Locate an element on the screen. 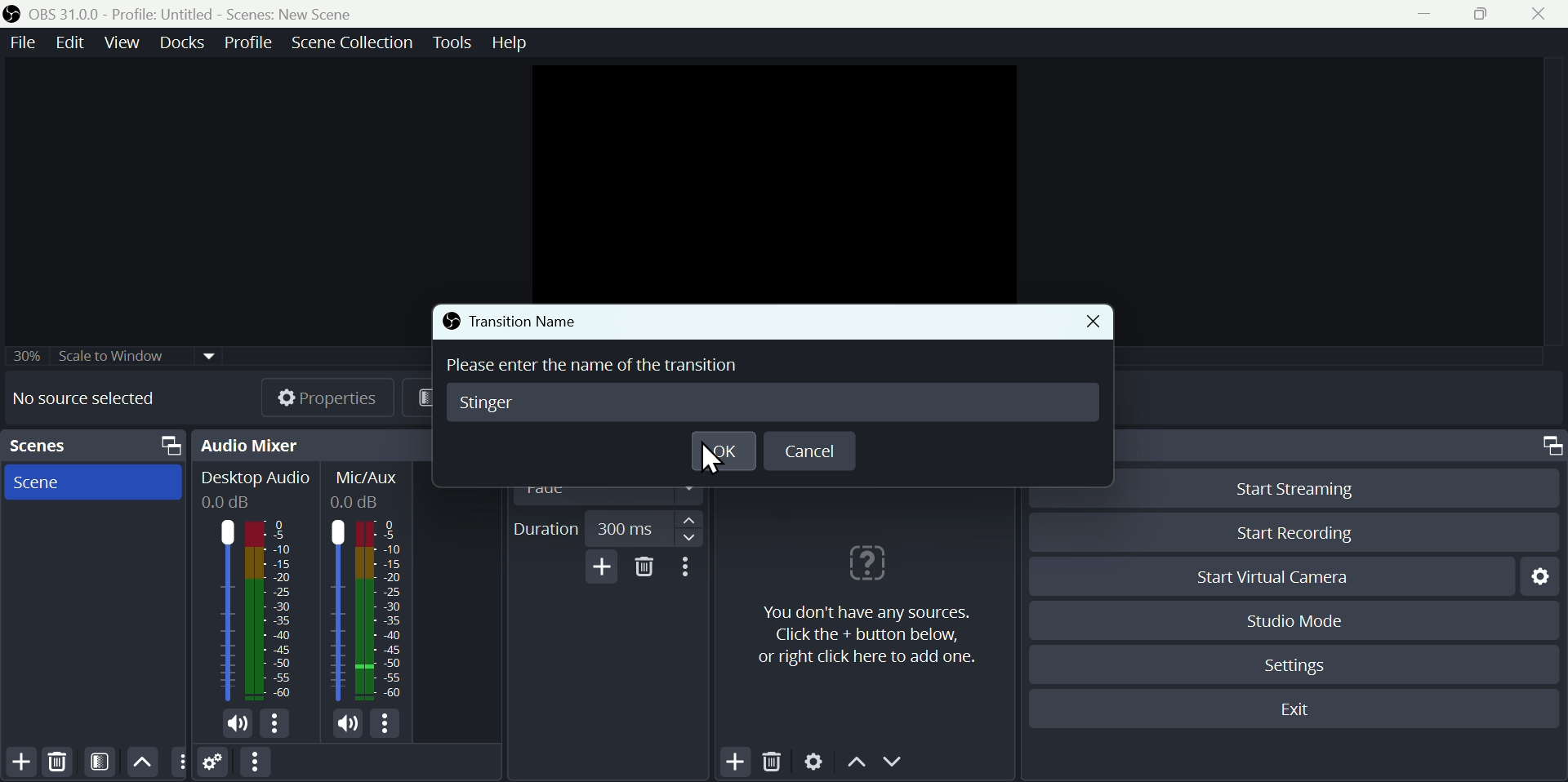 This screenshot has height=782, width=1568.  is located at coordinates (117, 351).